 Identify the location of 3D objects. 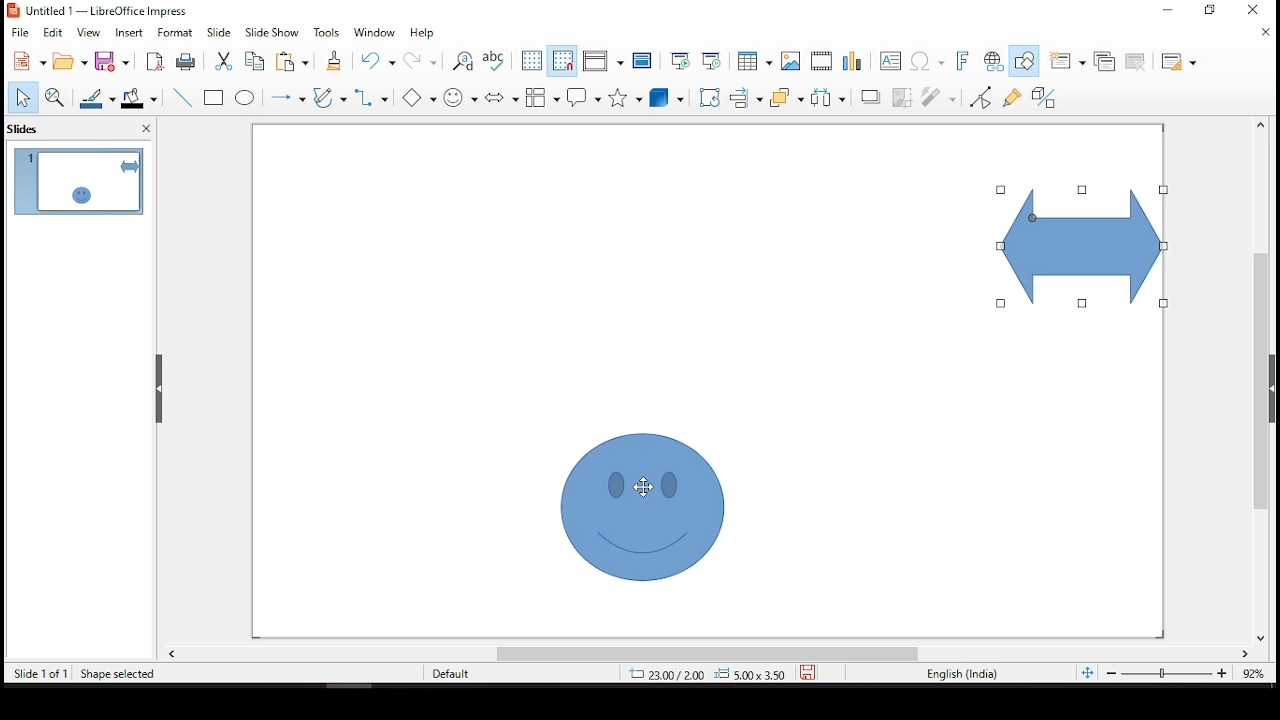
(665, 98).